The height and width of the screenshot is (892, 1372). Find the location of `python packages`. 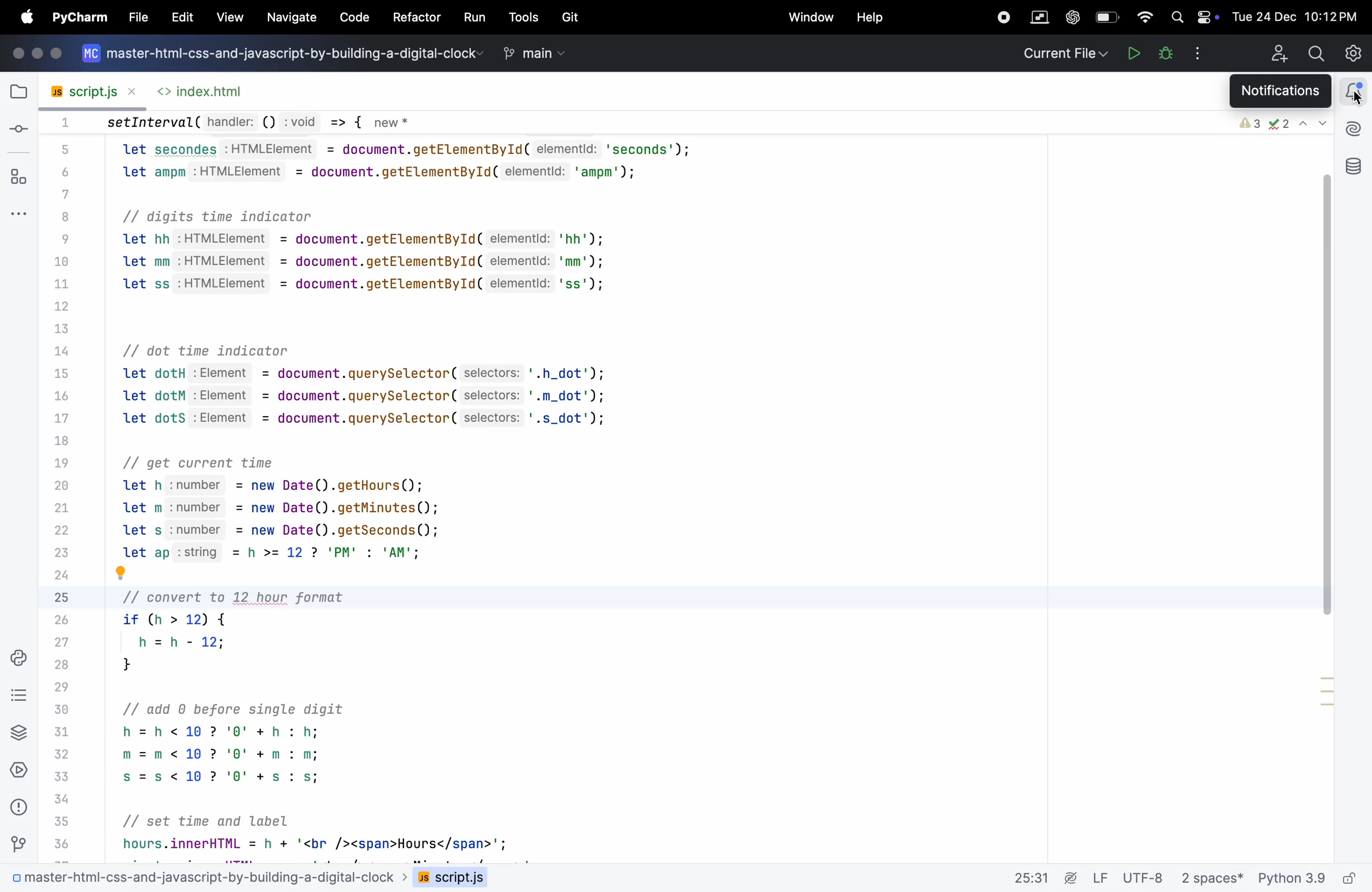

python packages is located at coordinates (18, 734).